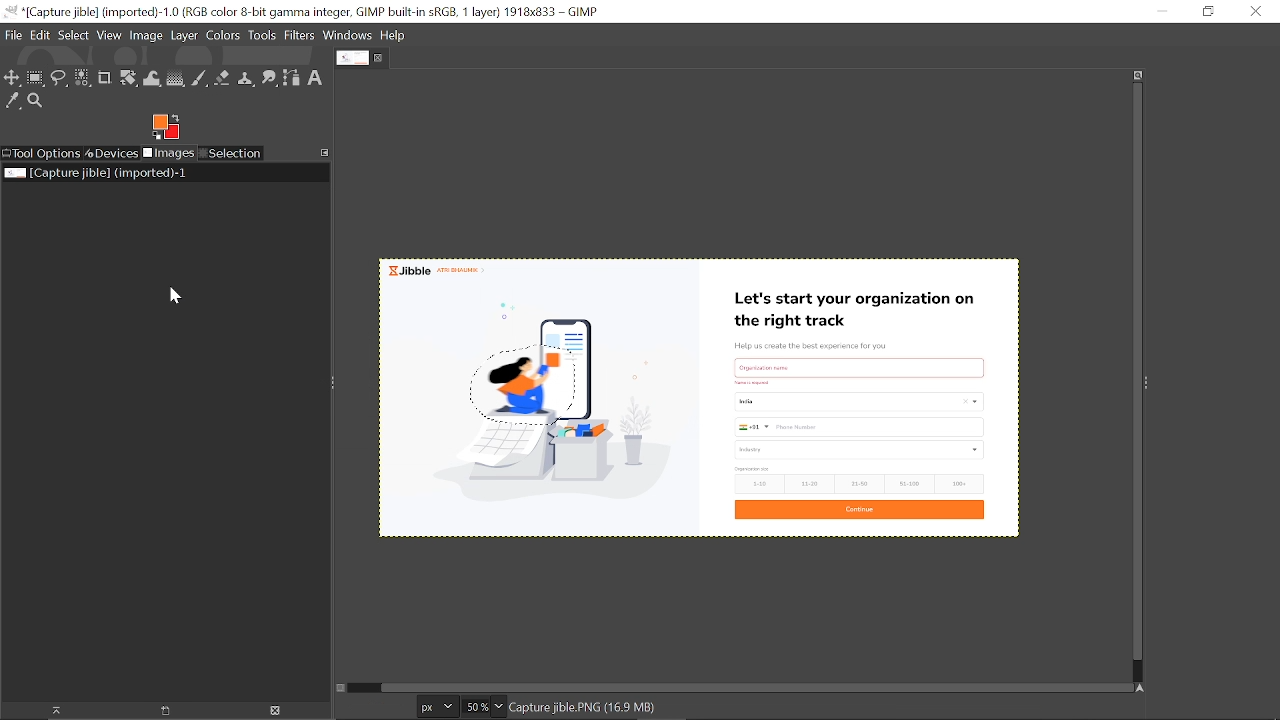  I want to click on Colors, so click(222, 37).